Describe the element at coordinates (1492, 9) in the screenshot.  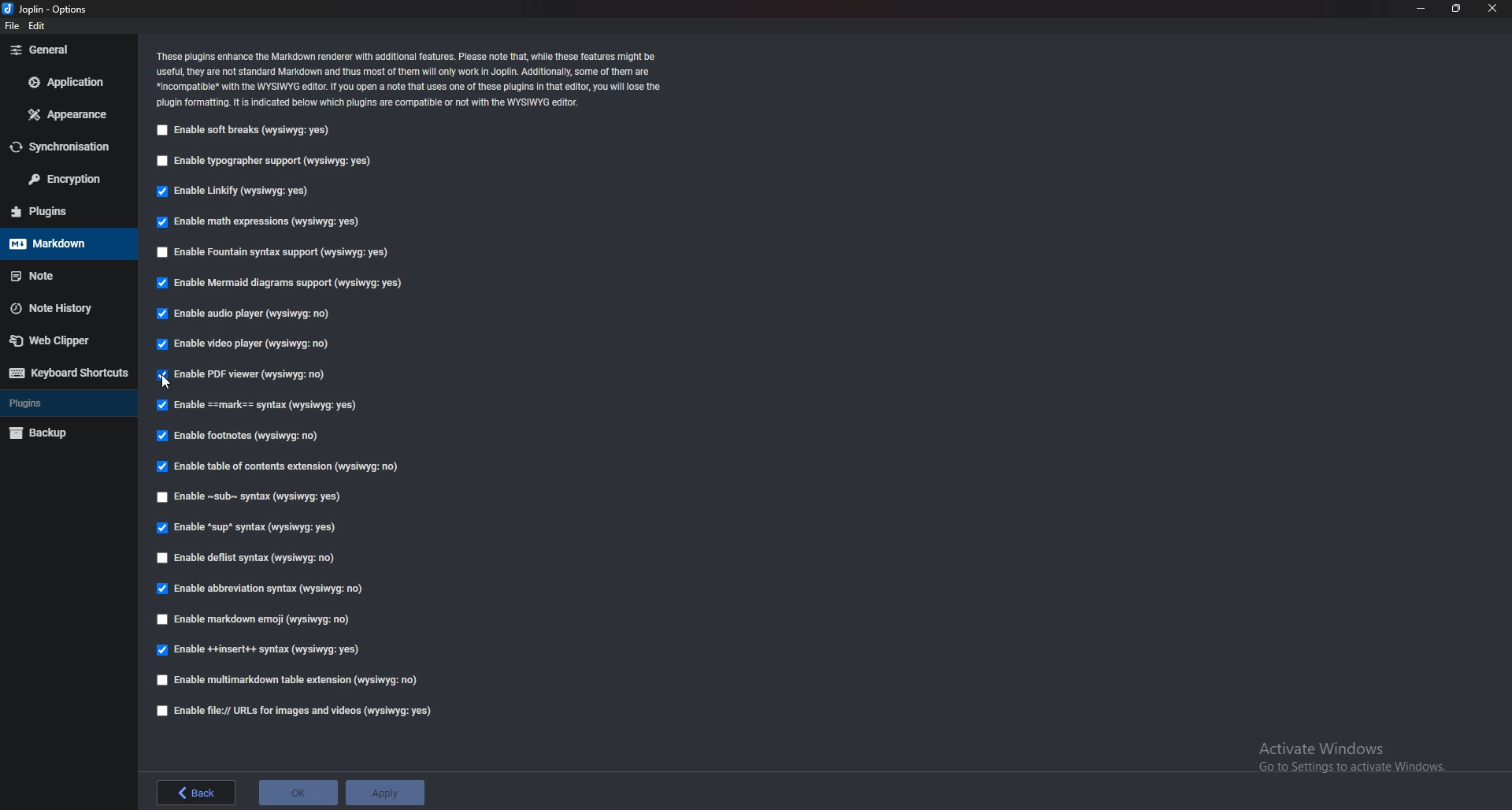
I see `close` at that location.